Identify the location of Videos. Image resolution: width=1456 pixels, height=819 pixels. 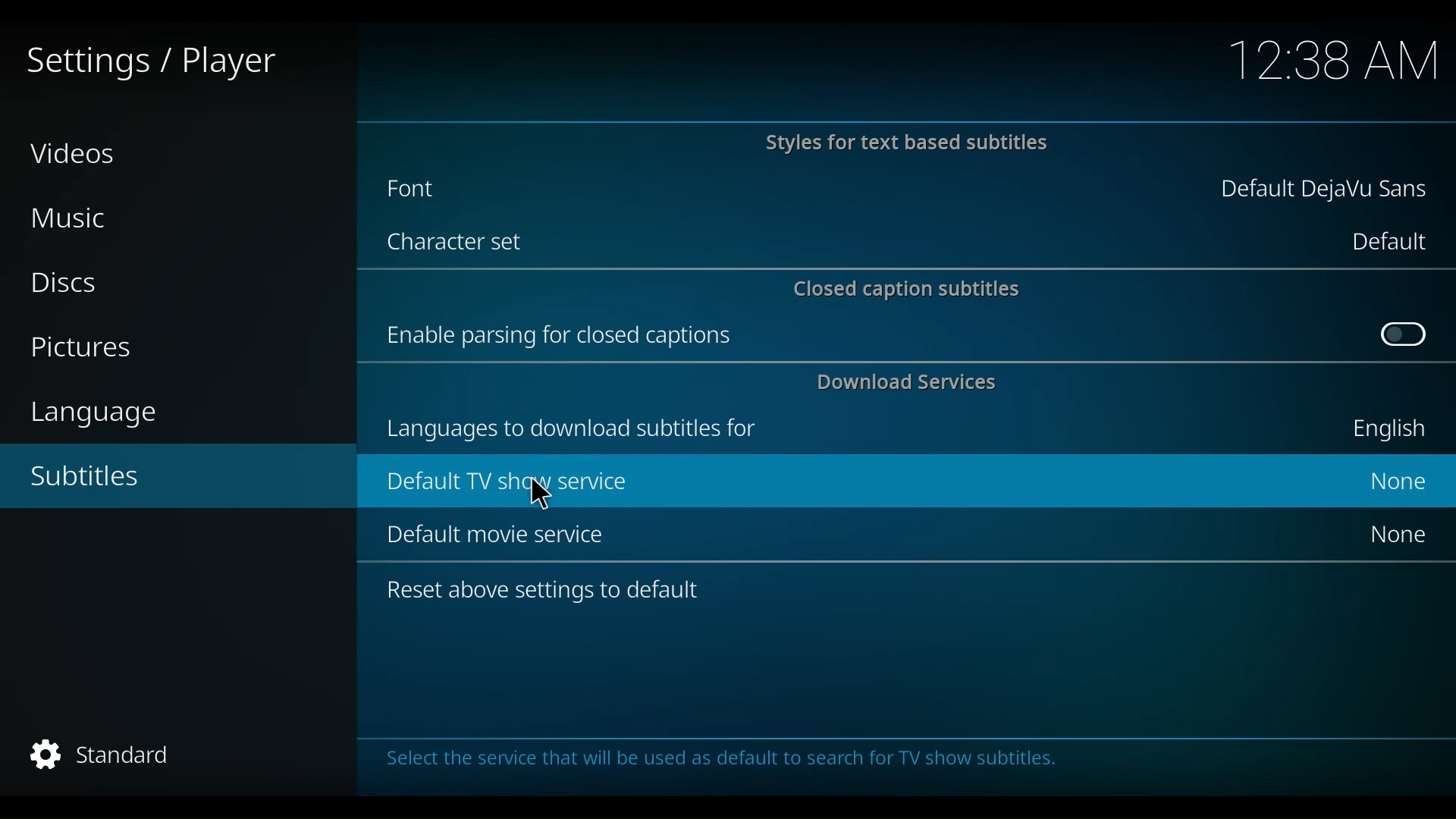
(75, 152).